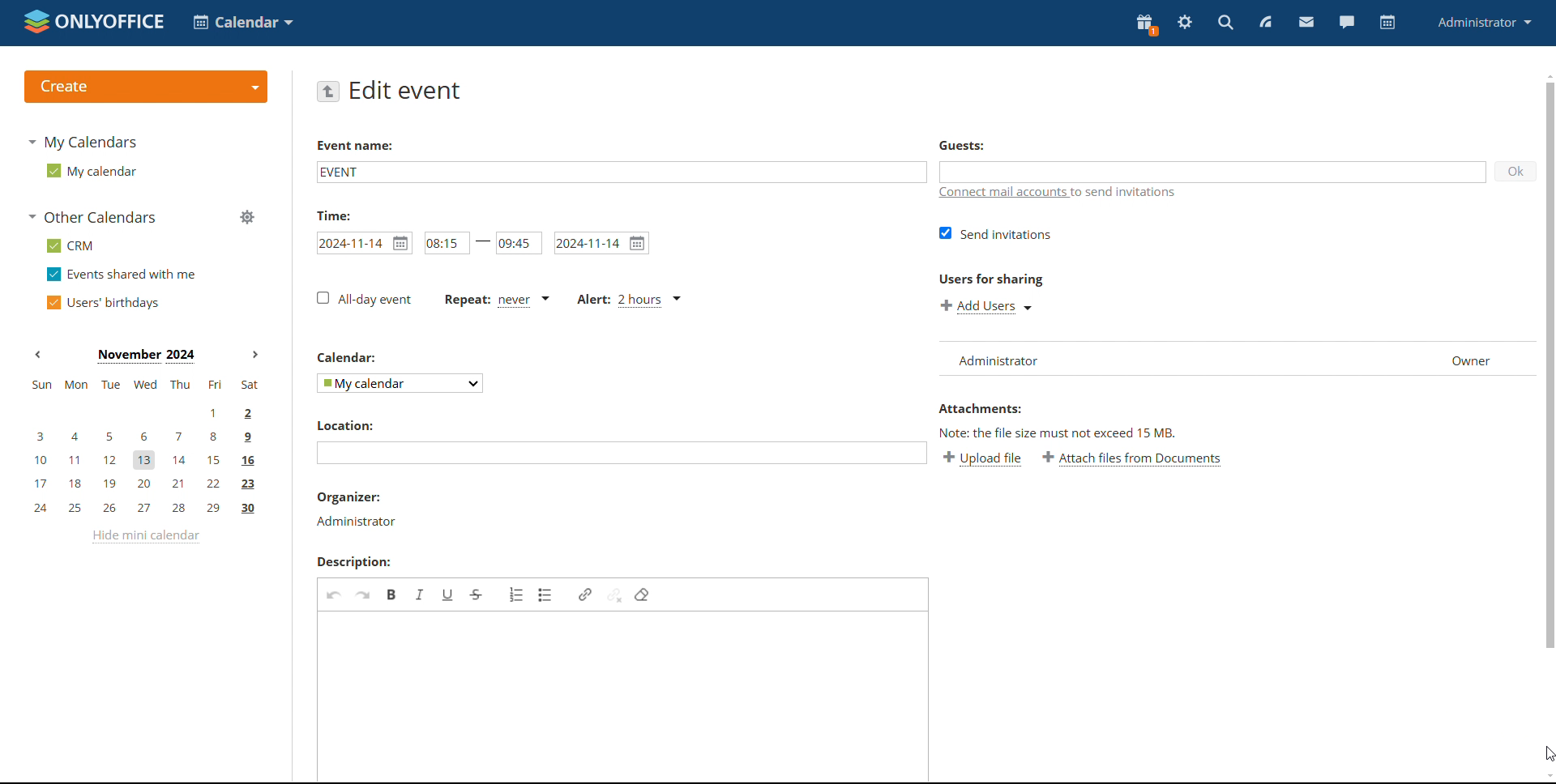 The width and height of the screenshot is (1556, 784). Describe the element at coordinates (1305, 23) in the screenshot. I see `mail` at that location.